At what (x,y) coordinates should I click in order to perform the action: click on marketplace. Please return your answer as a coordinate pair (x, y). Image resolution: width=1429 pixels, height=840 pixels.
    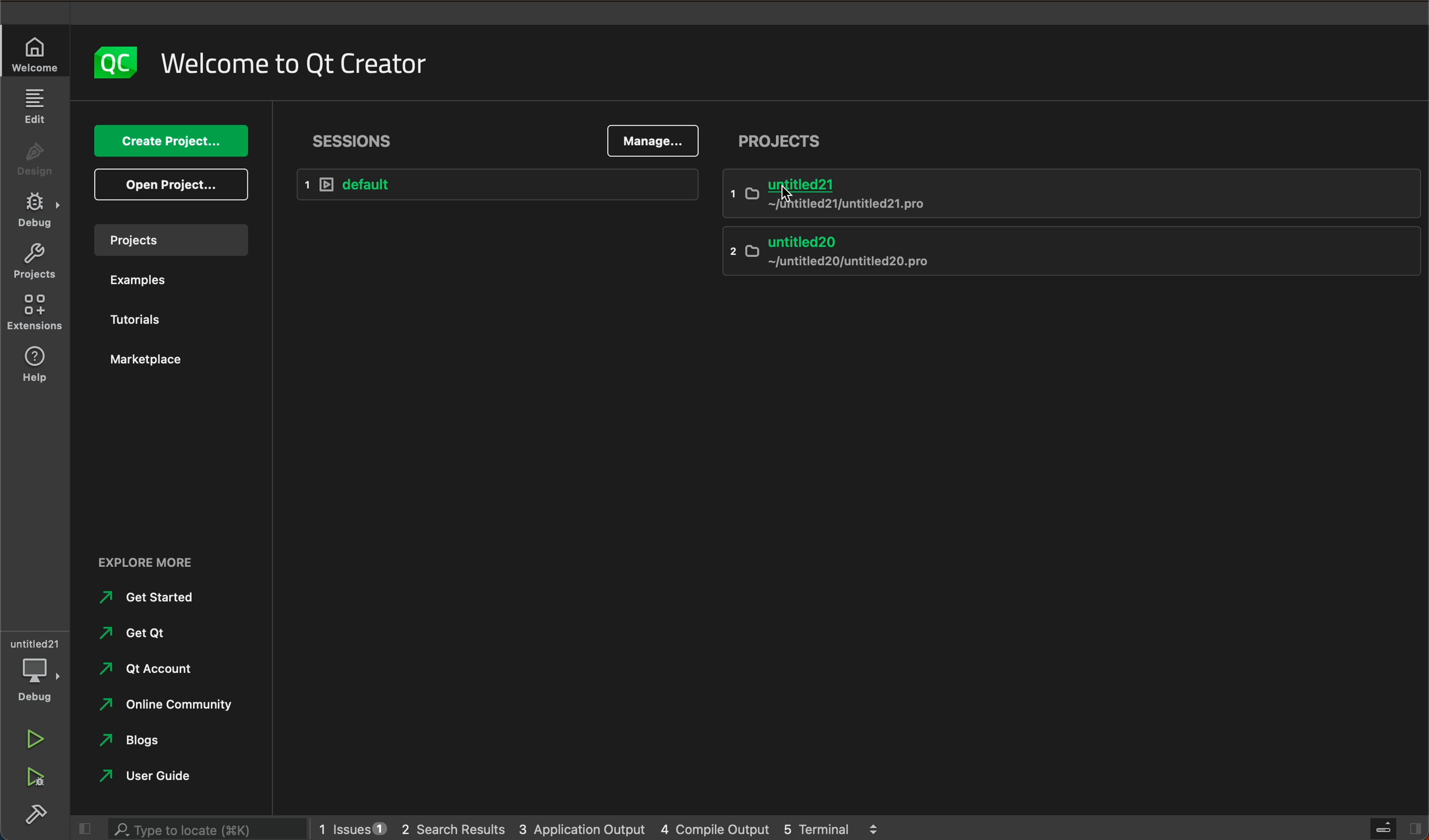
    Looking at the image, I should click on (149, 359).